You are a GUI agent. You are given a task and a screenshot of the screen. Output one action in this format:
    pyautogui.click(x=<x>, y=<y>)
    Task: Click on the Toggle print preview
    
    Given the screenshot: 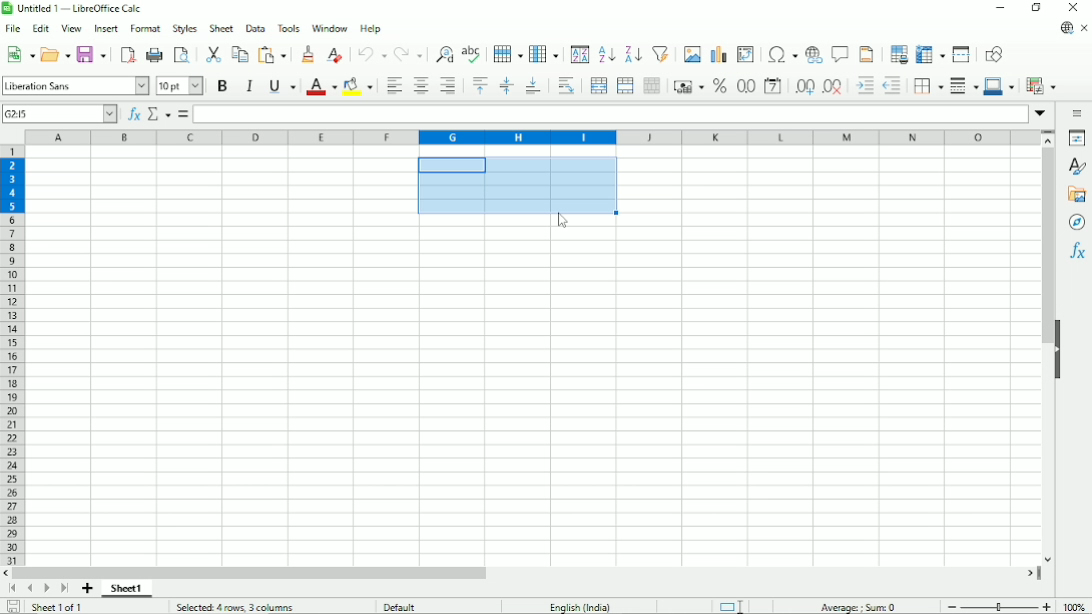 What is the action you would take?
    pyautogui.click(x=183, y=56)
    